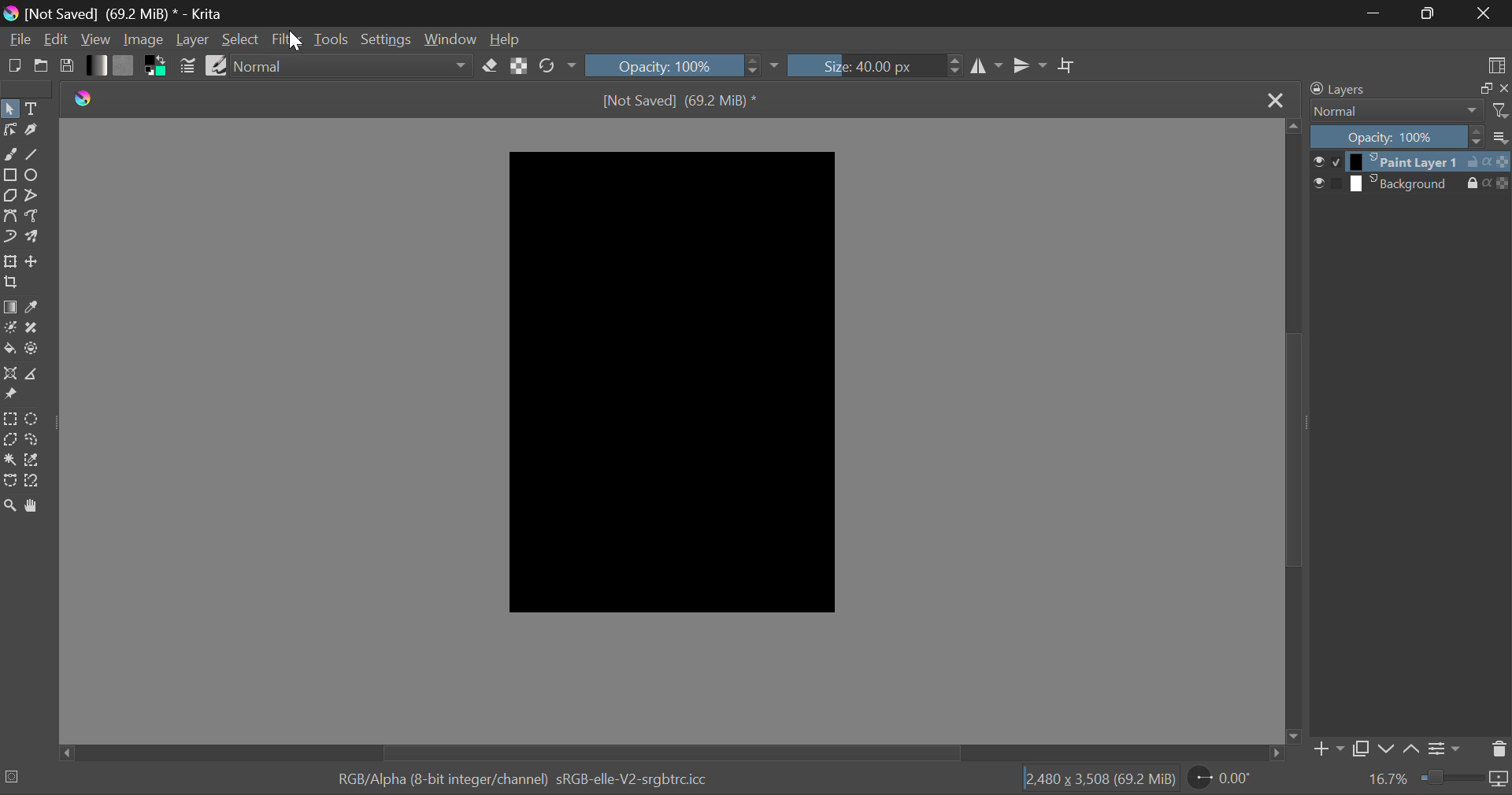 The height and width of the screenshot is (795, 1512). I want to click on File, so click(18, 41).